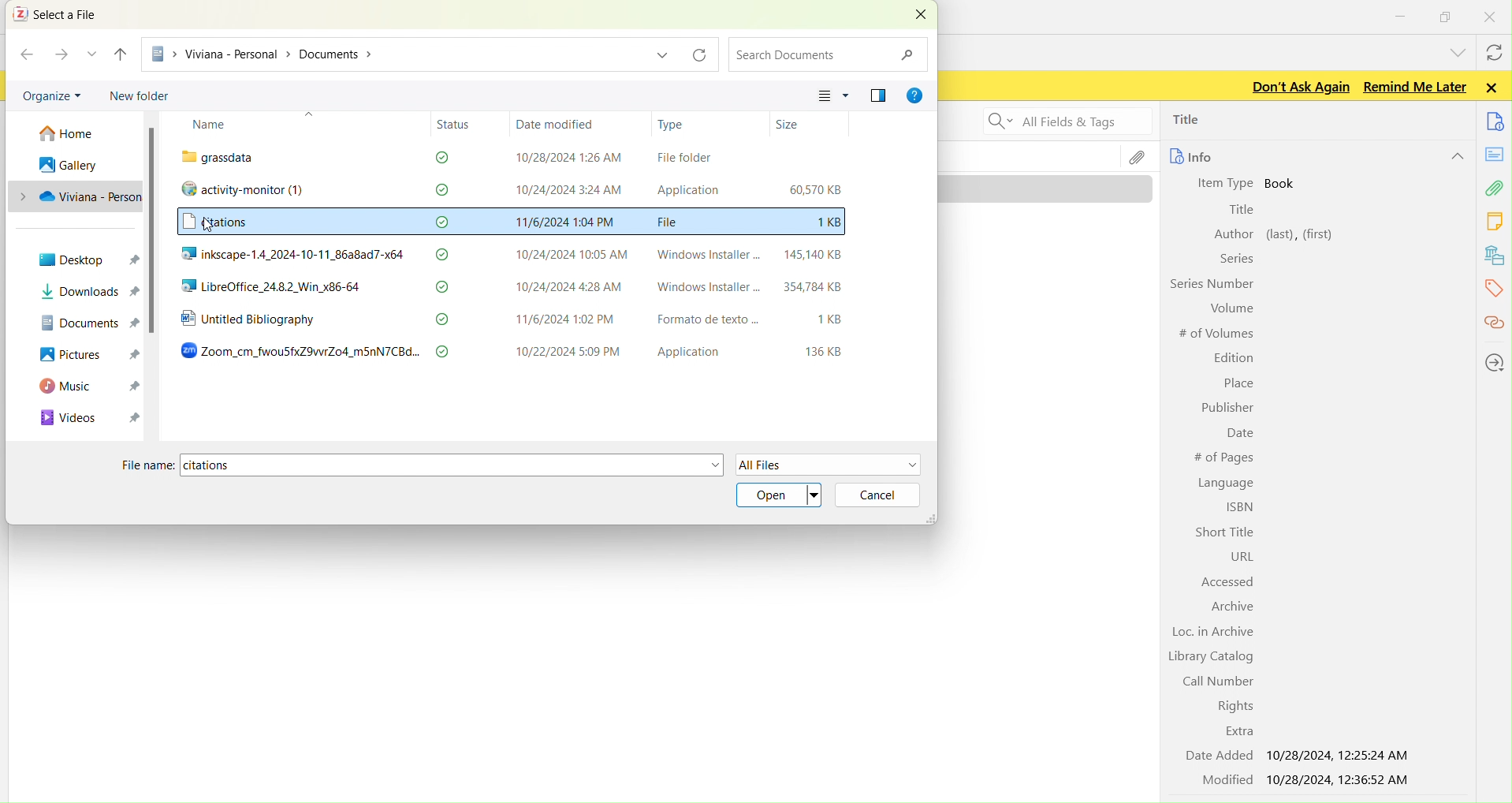 This screenshot has height=803, width=1512. What do you see at coordinates (75, 384) in the screenshot?
I see `MUSIC` at bounding box center [75, 384].